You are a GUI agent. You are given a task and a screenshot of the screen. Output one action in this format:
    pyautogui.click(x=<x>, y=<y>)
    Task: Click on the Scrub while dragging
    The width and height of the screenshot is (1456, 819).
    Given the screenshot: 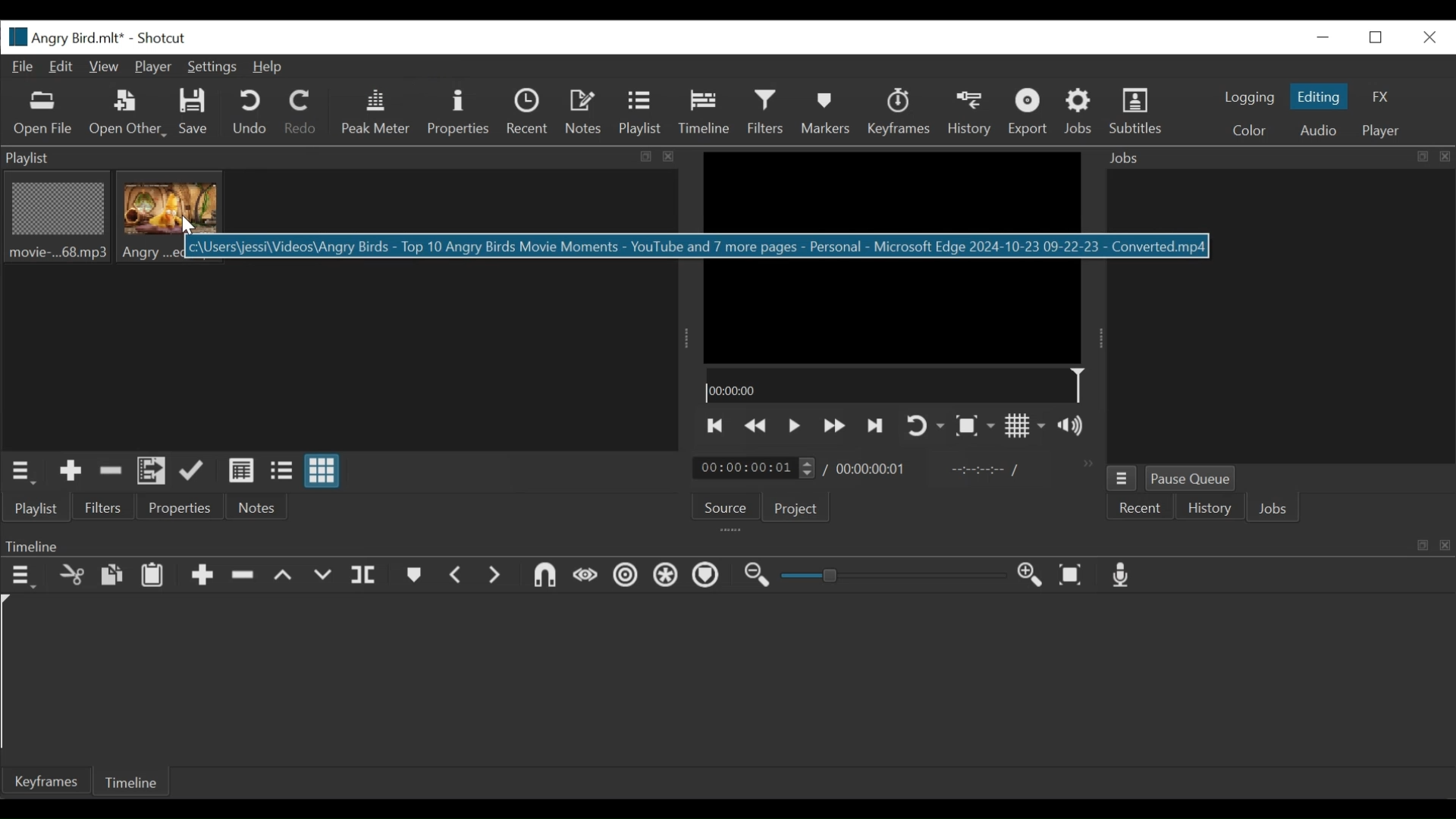 What is the action you would take?
    pyautogui.click(x=585, y=578)
    